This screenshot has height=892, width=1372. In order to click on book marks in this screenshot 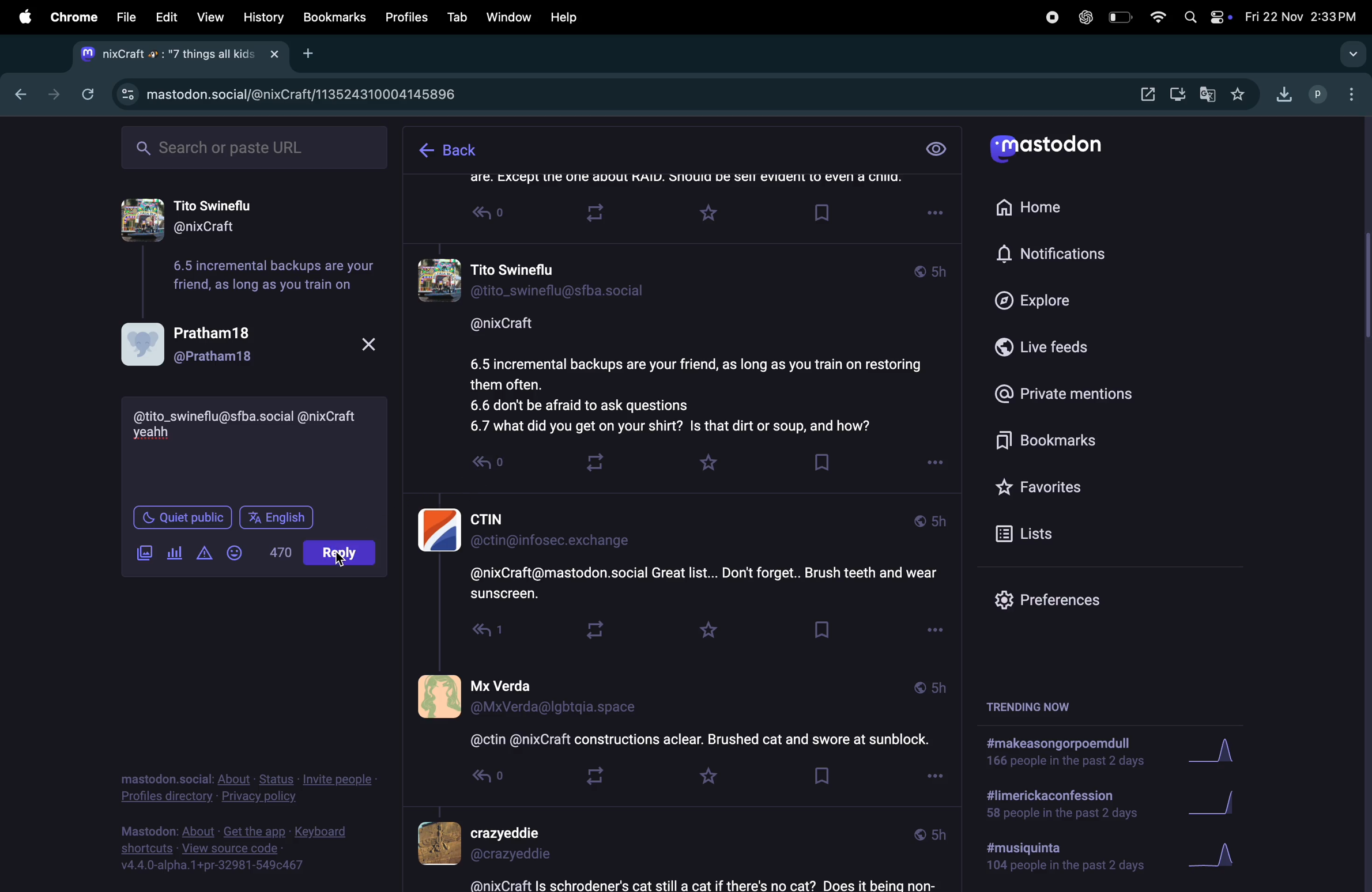, I will do `click(1077, 443)`.